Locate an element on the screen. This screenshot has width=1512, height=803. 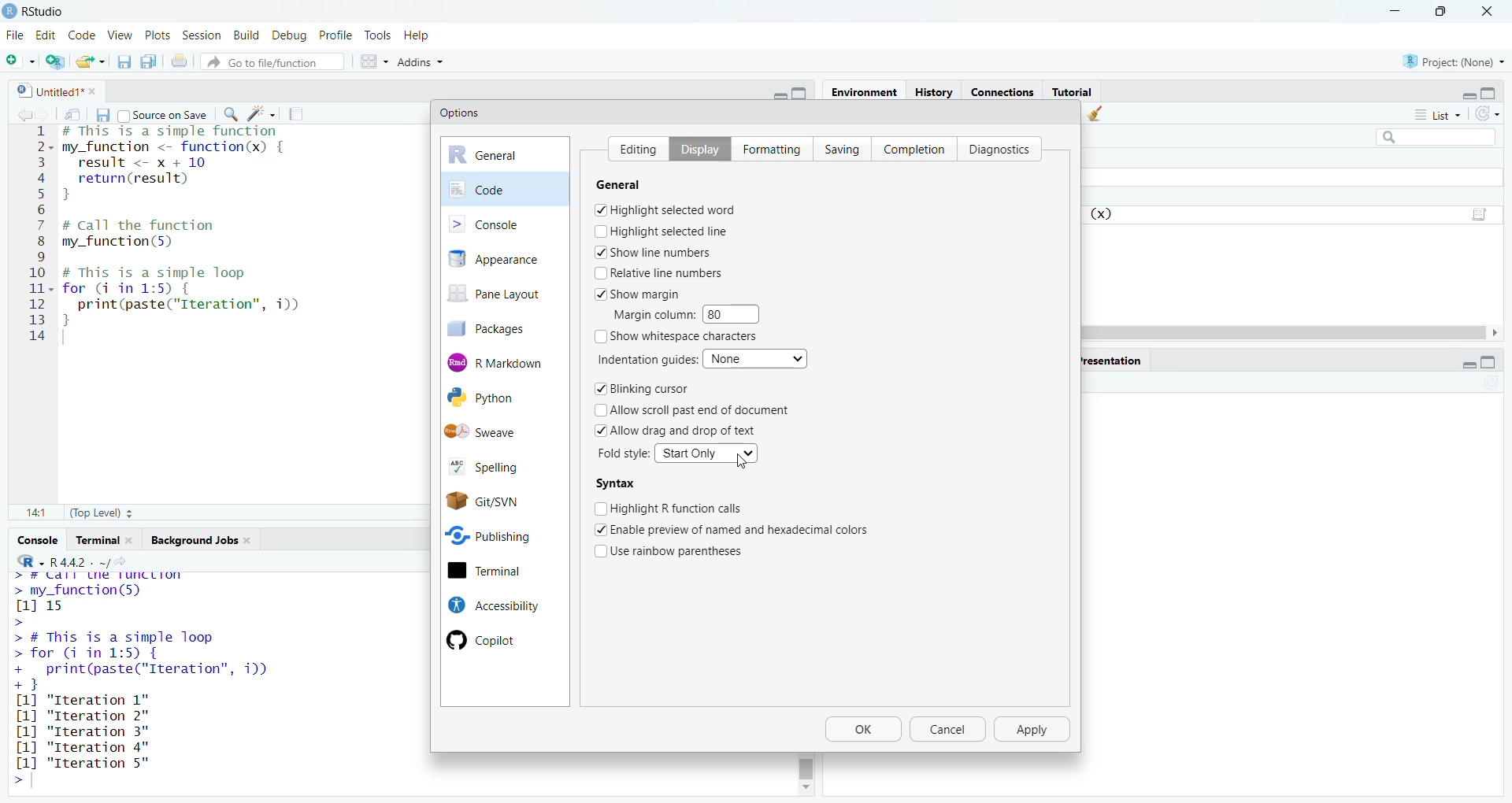
File is located at coordinates (15, 35).